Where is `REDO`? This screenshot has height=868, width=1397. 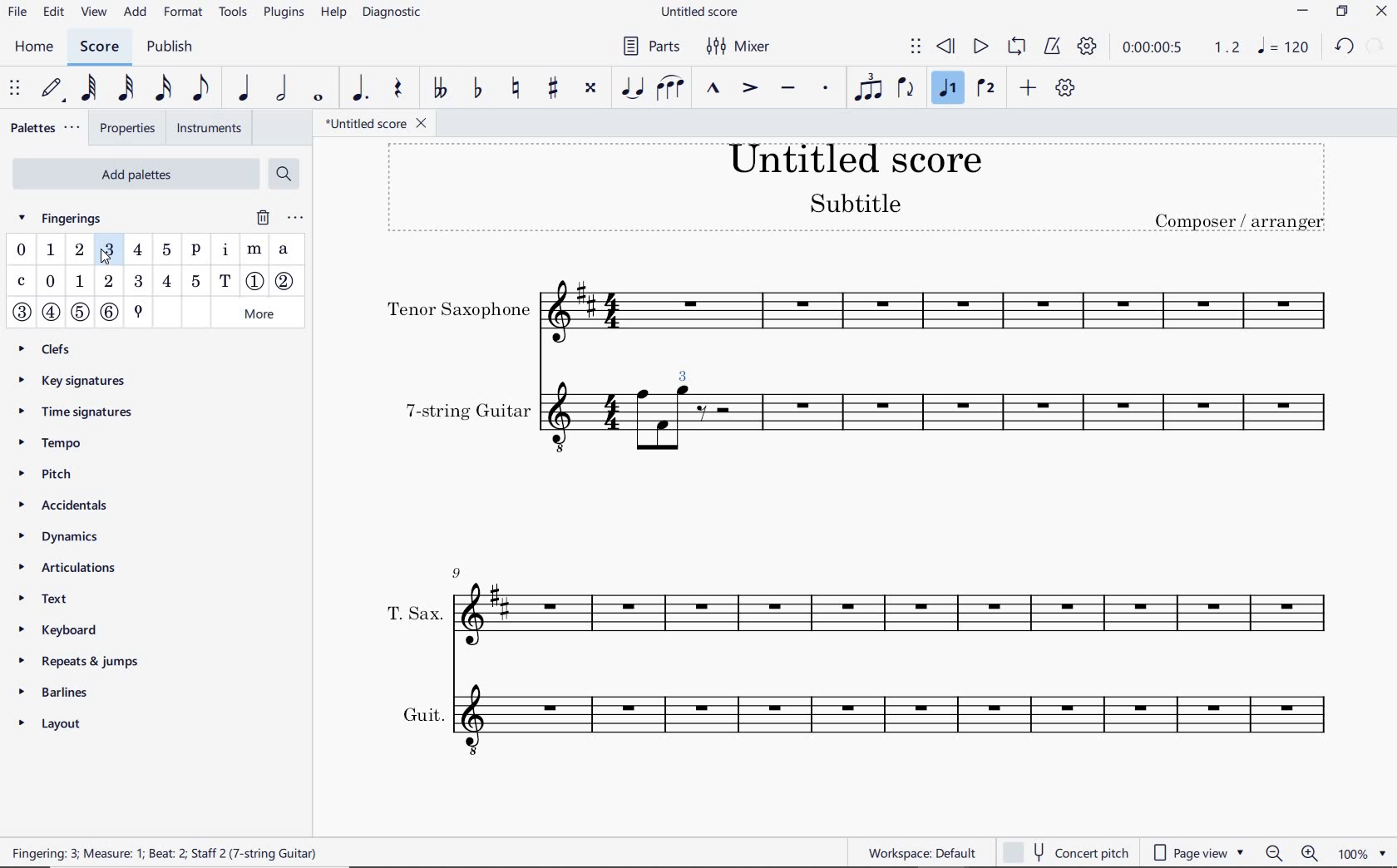
REDO is located at coordinates (1375, 46).